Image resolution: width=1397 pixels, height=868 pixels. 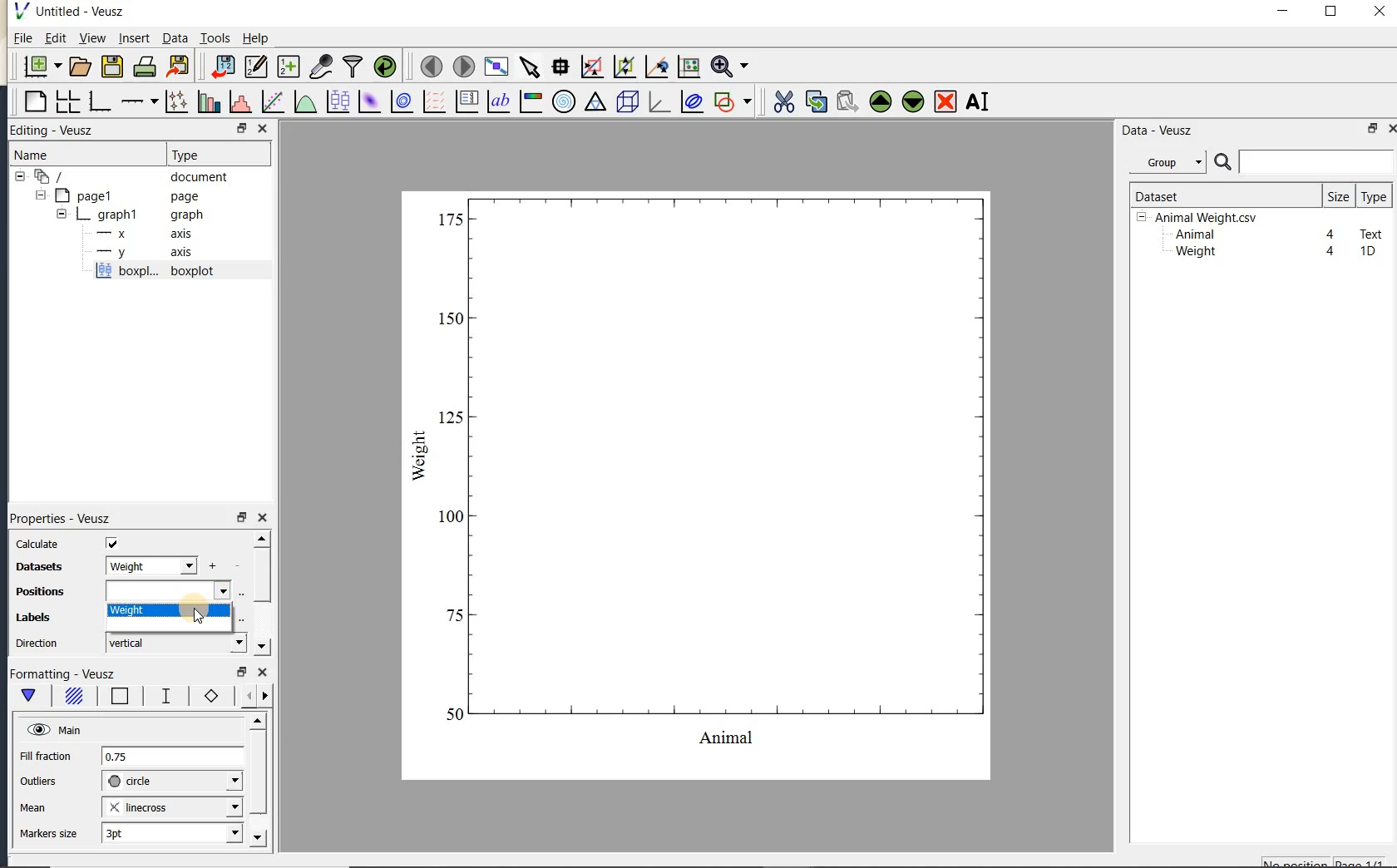 I want to click on 1D, so click(x=1367, y=251).